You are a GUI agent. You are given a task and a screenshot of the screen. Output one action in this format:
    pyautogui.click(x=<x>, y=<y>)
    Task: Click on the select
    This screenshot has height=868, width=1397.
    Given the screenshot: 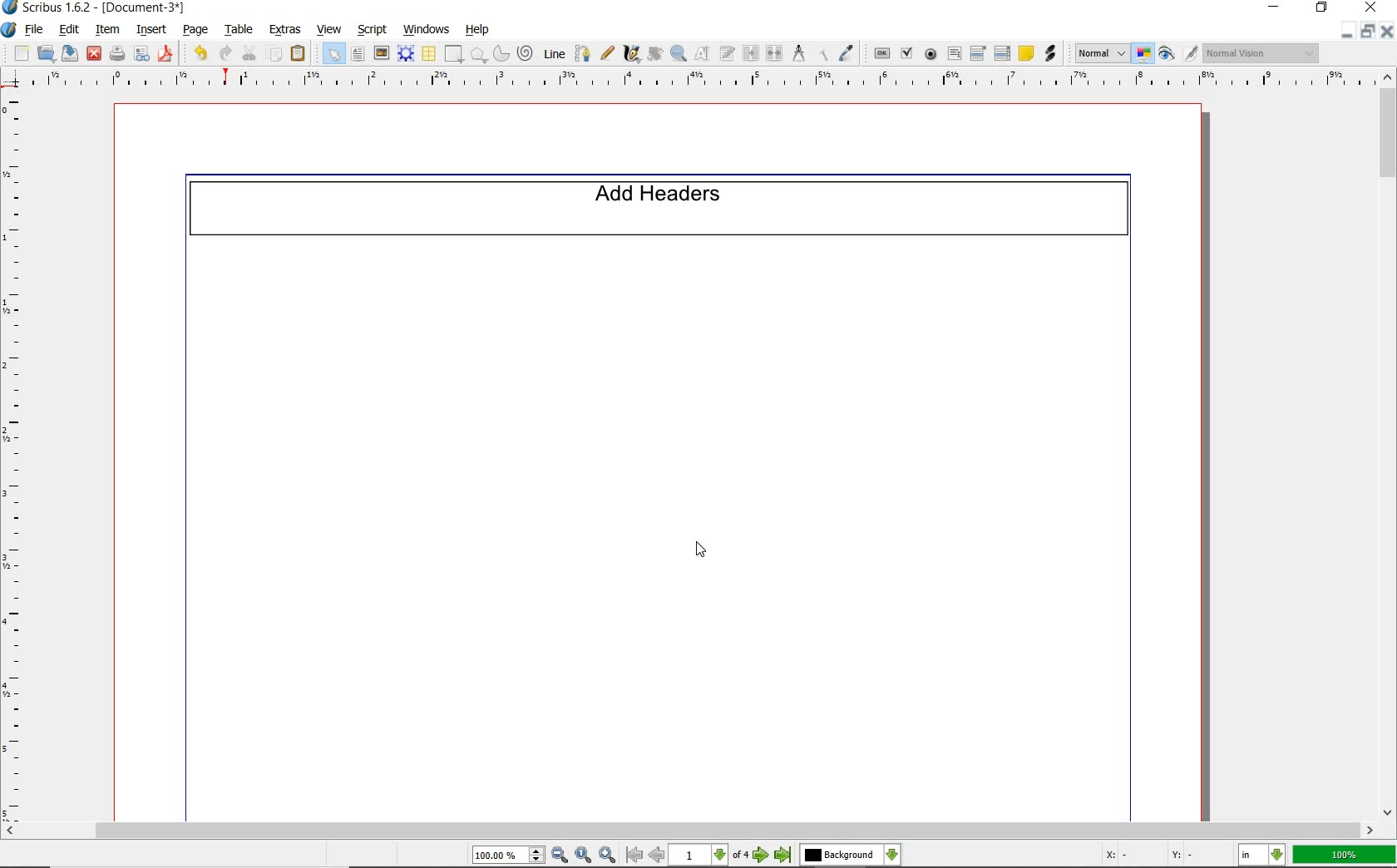 What is the action you would take?
    pyautogui.click(x=336, y=53)
    